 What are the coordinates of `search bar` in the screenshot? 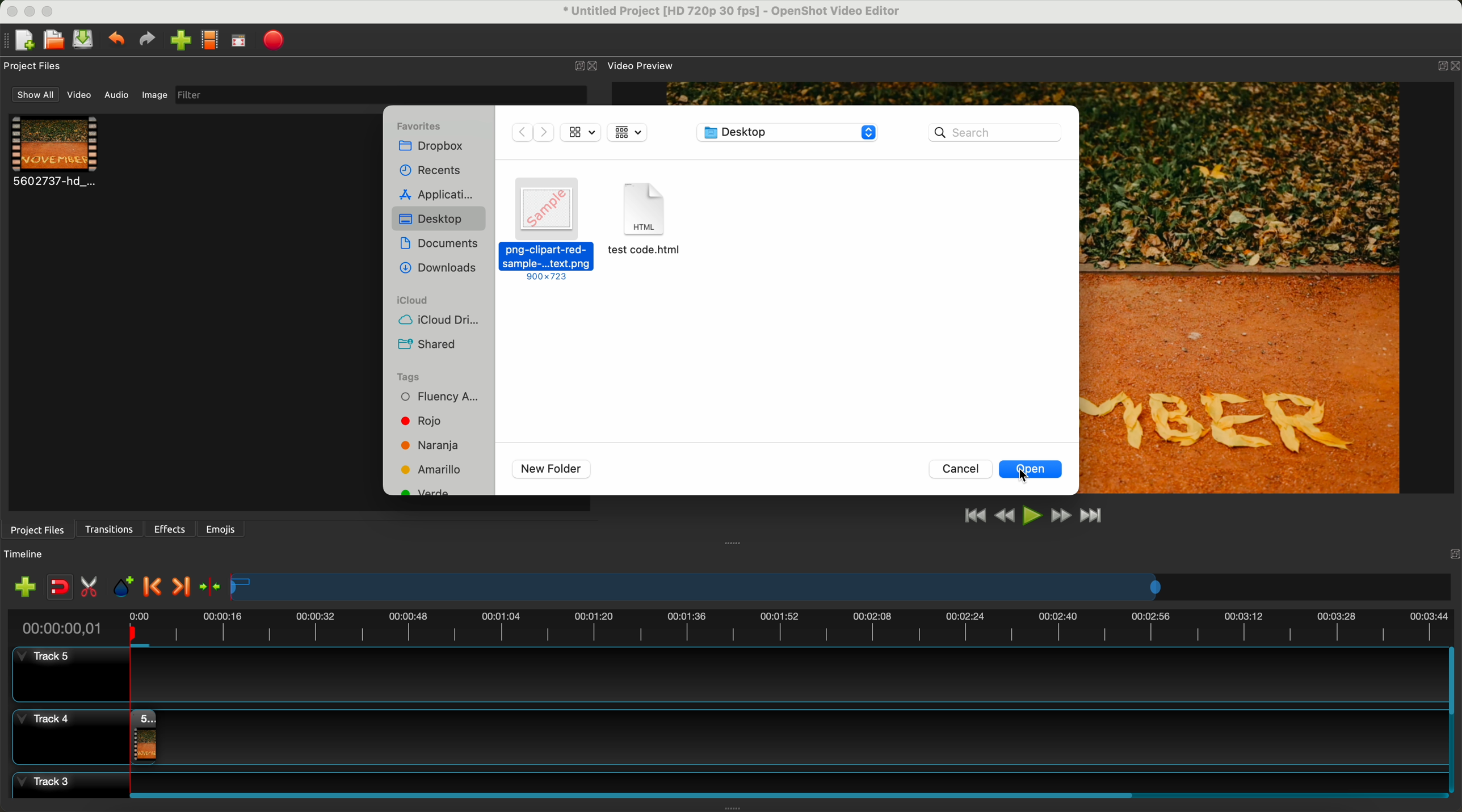 It's located at (995, 132).